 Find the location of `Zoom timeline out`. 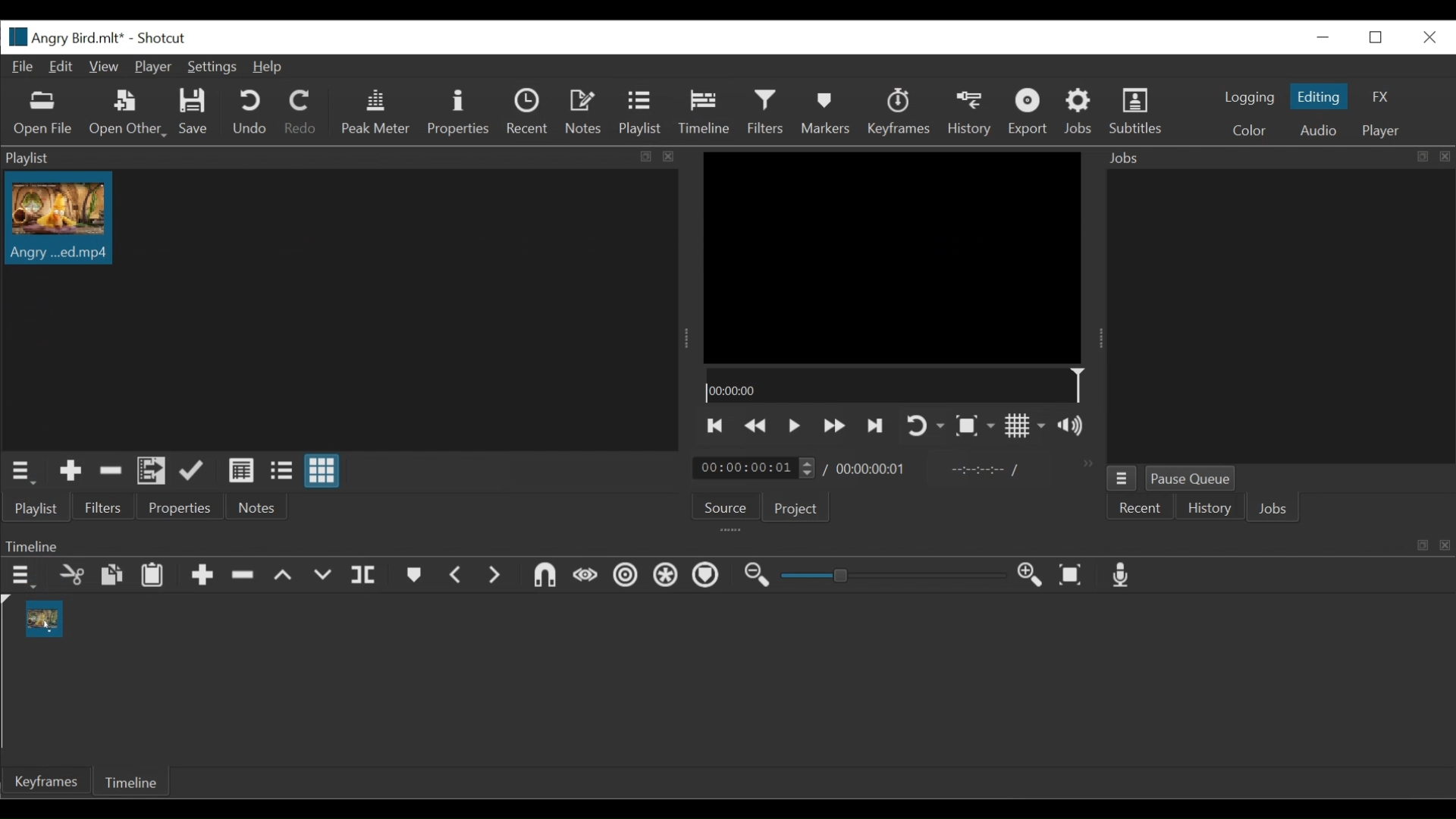

Zoom timeline out is located at coordinates (756, 575).